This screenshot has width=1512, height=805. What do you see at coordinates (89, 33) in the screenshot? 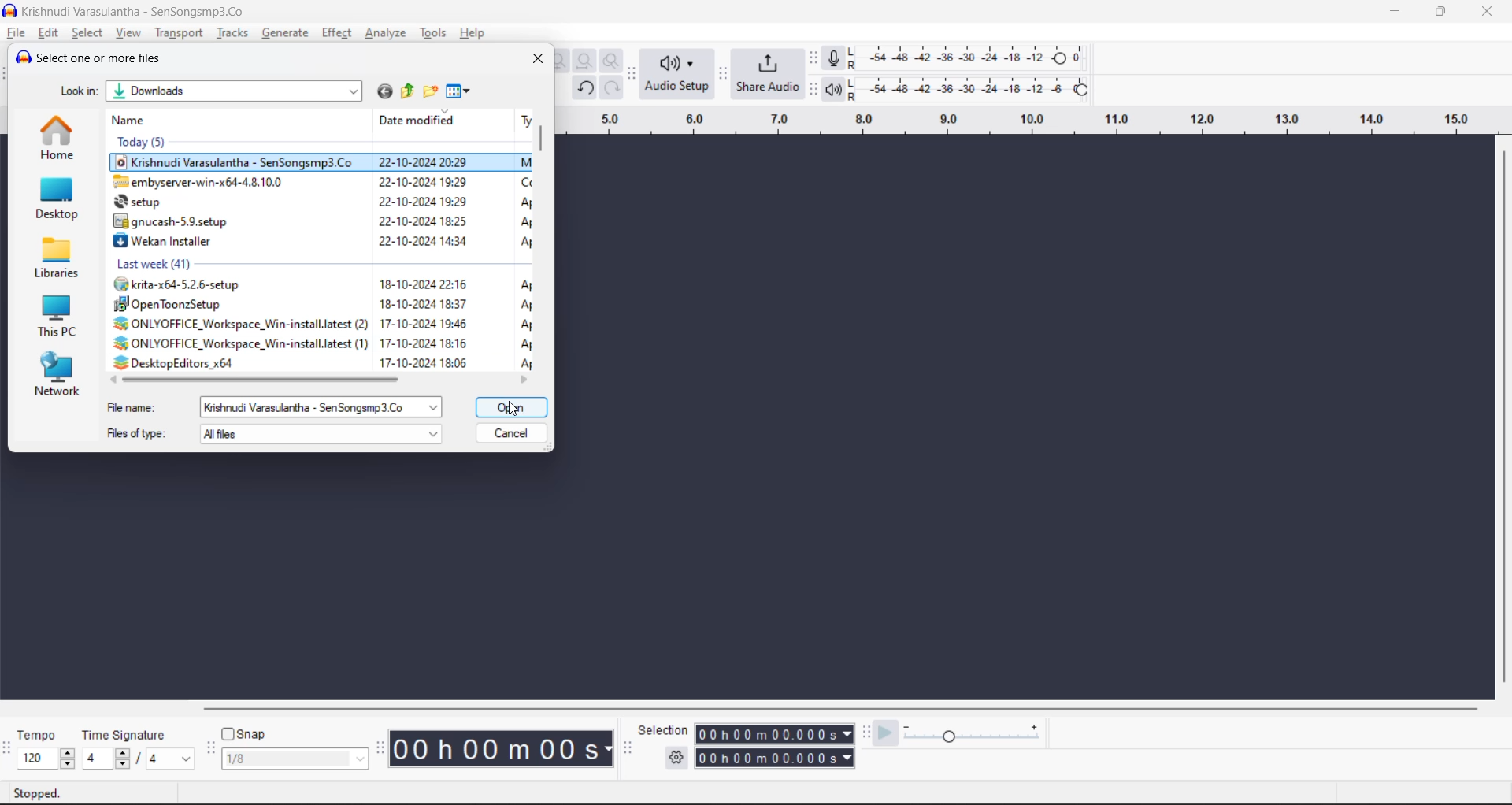
I see `select` at bounding box center [89, 33].